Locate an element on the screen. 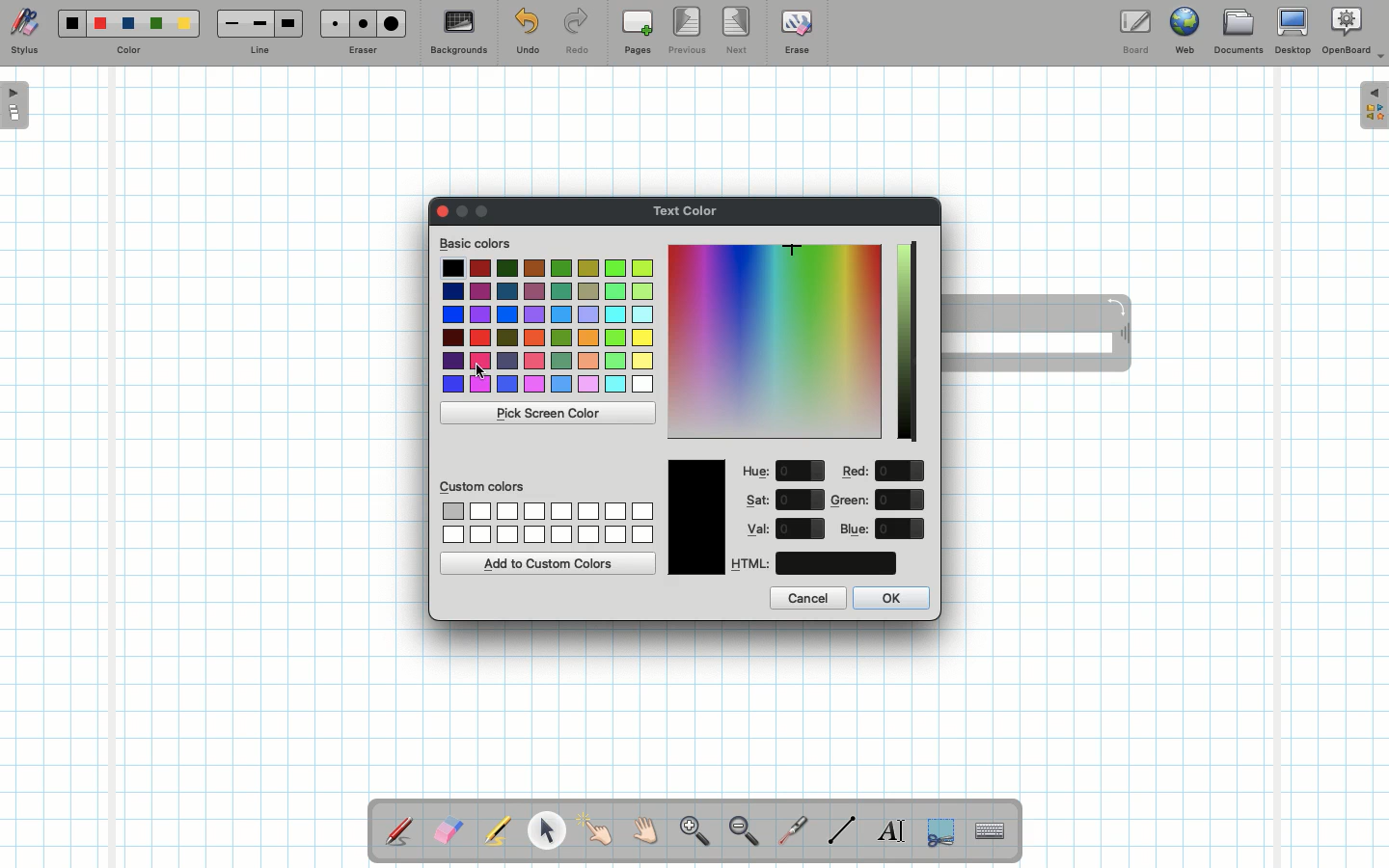  Small line is located at coordinates (229, 24).